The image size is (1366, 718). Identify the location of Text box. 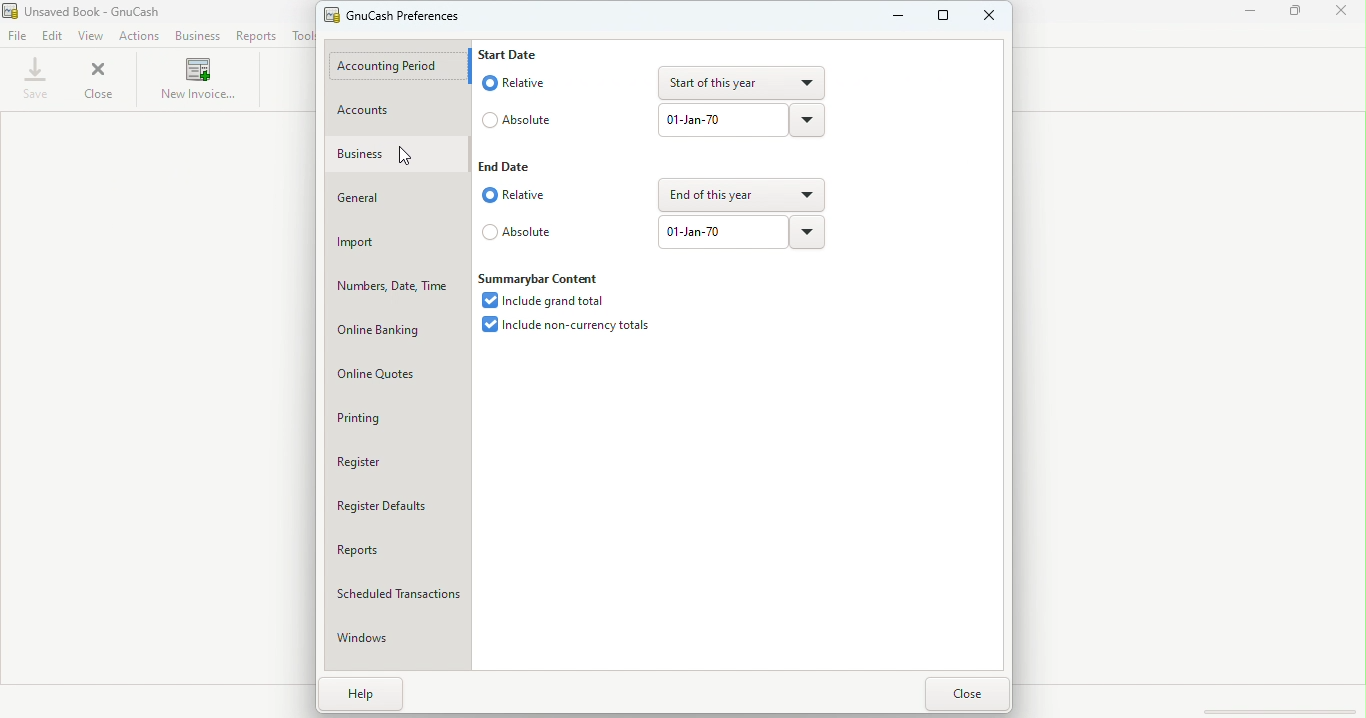
(719, 231).